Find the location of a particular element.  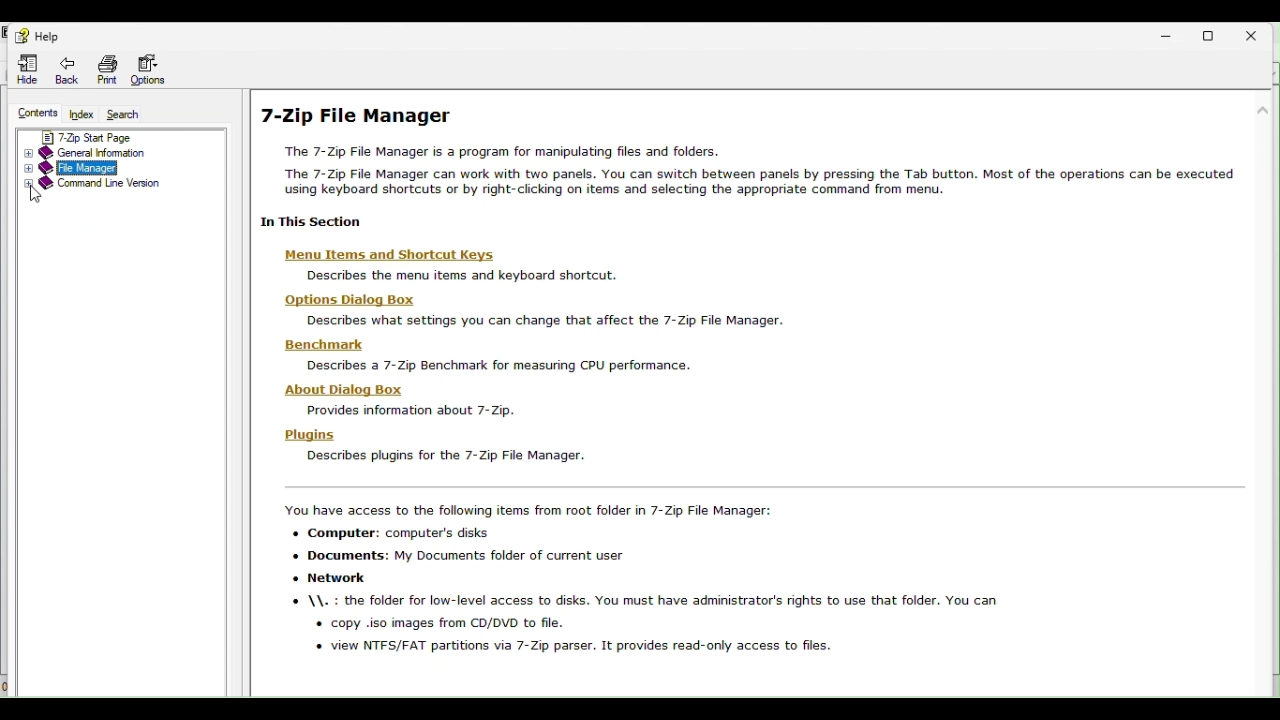

search is located at coordinates (130, 114).